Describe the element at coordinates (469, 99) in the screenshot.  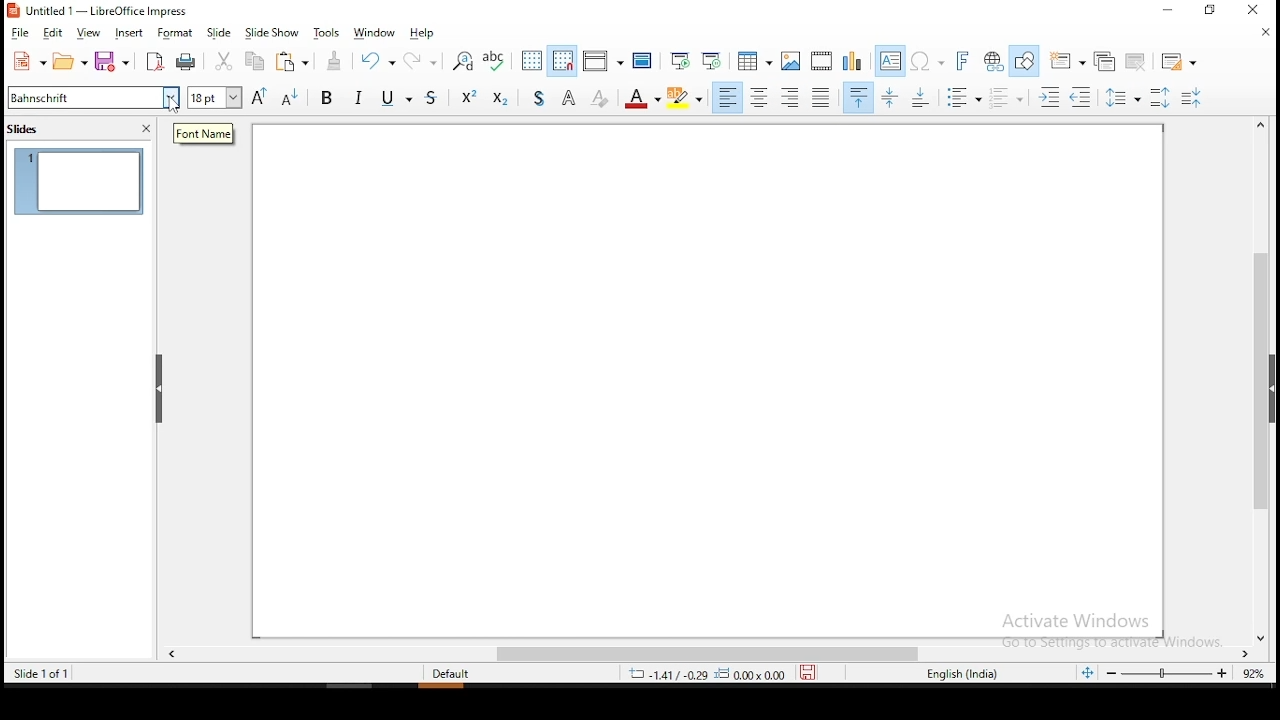
I see `superscript` at that location.